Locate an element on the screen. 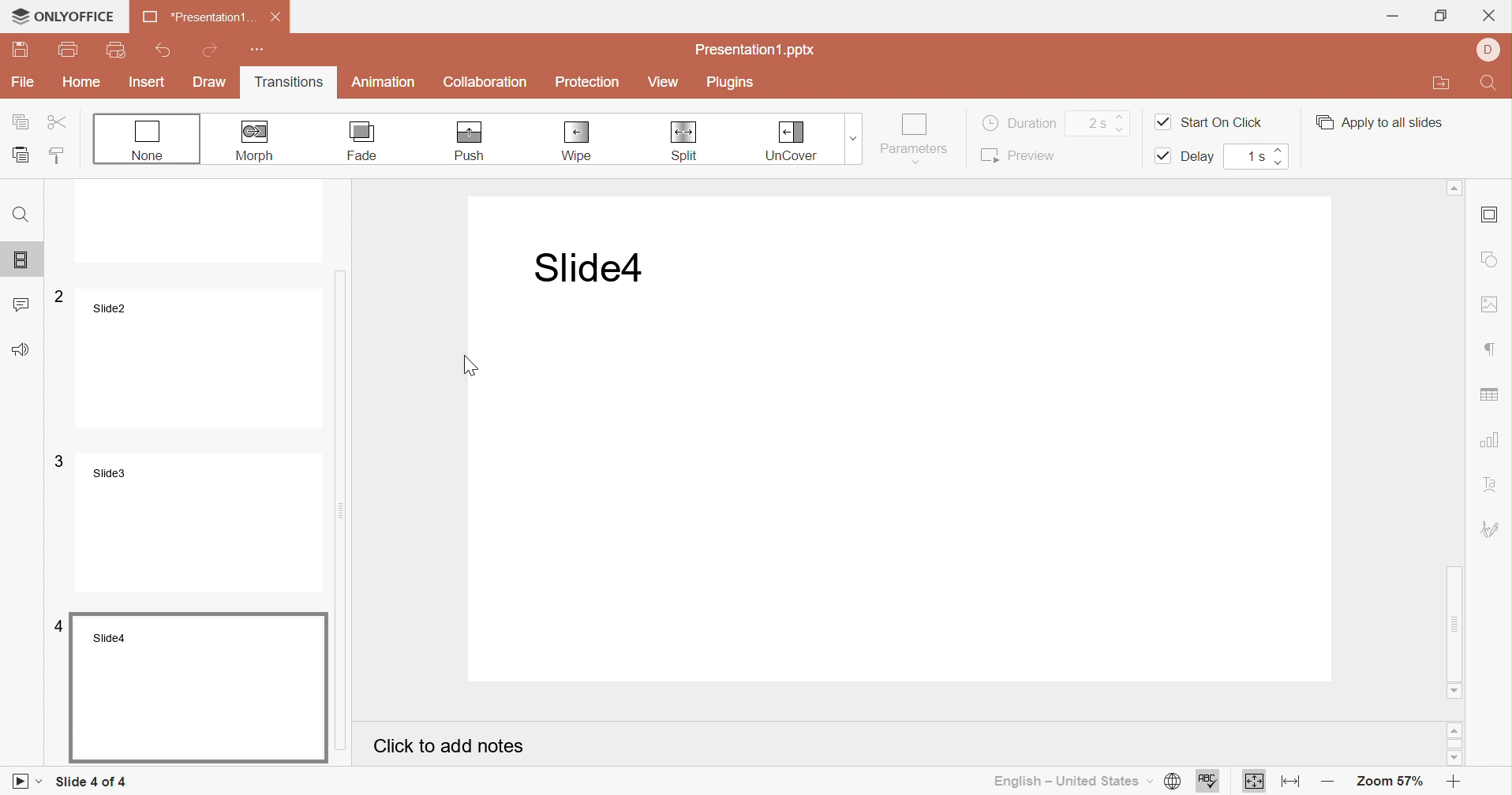  Redo is located at coordinates (213, 49).